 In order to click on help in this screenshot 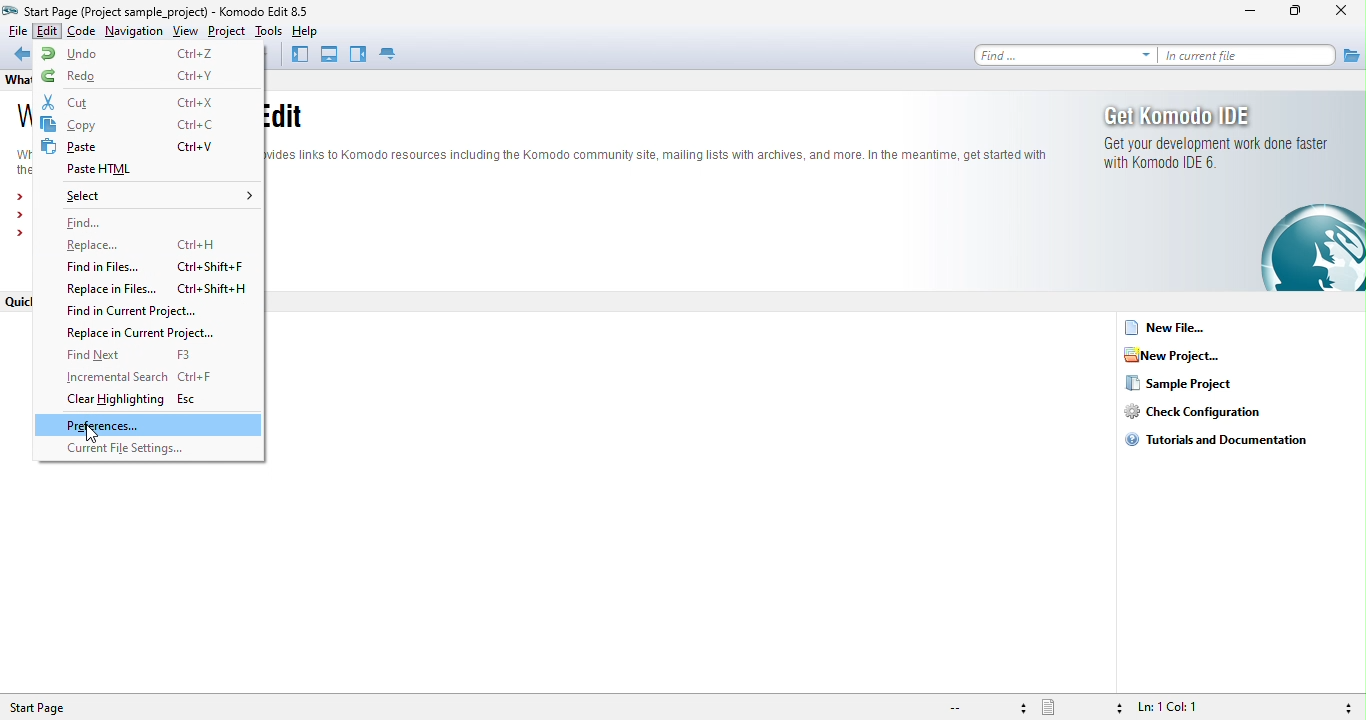, I will do `click(305, 33)`.